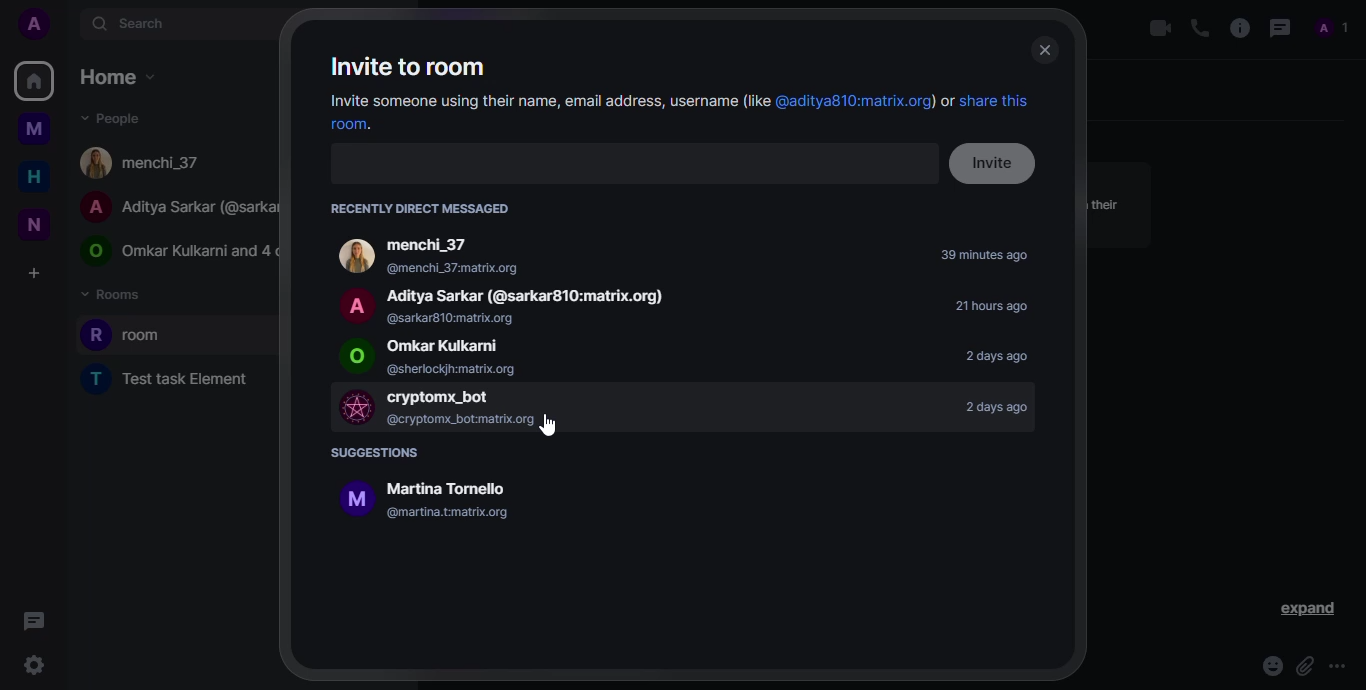 This screenshot has height=690, width=1366. Describe the element at coordinates (34, 177) in the screenshot. I see `home` at that location.